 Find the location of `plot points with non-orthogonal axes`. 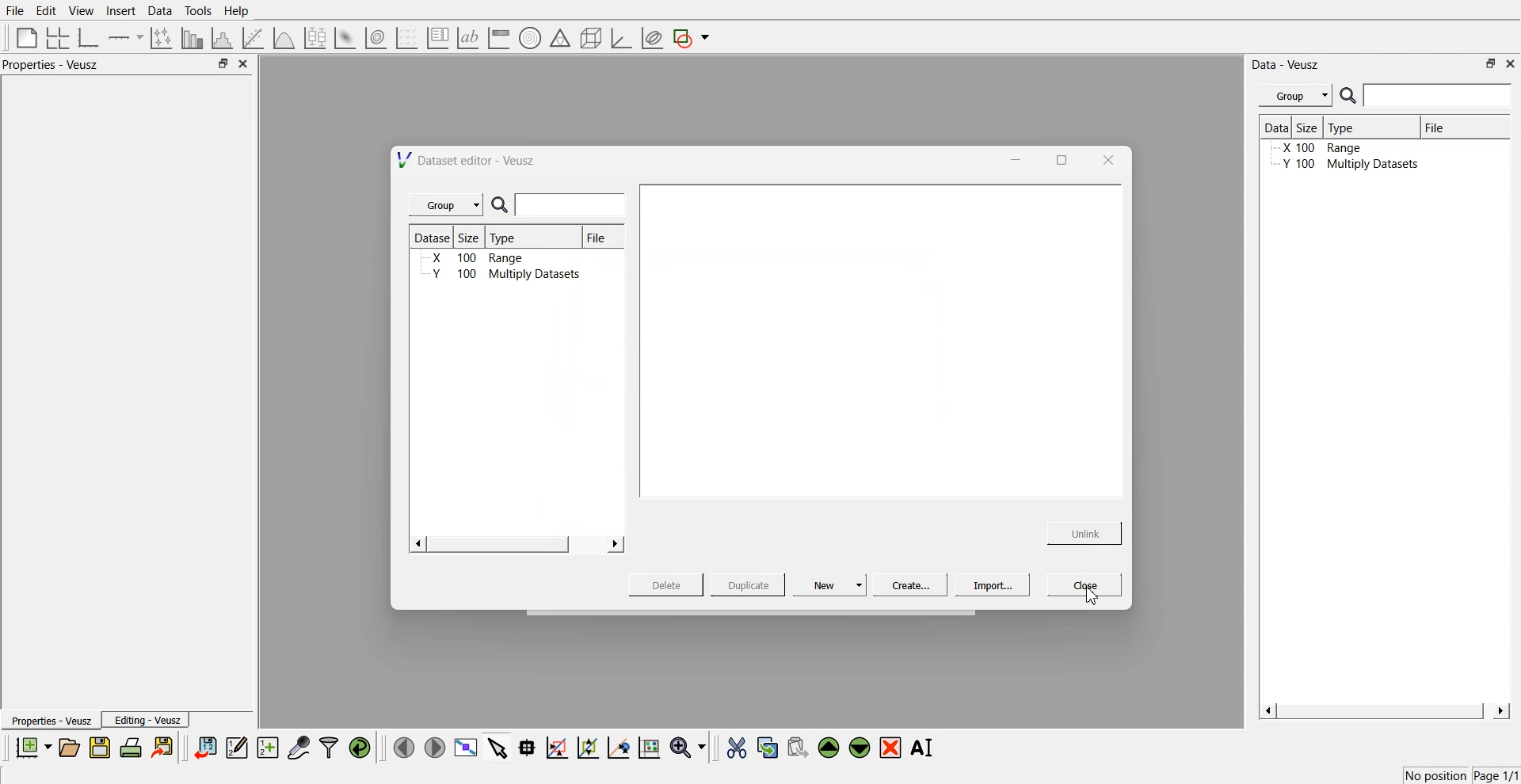

plot points with non-orthogonal axes is located at coordinates (160, 37).